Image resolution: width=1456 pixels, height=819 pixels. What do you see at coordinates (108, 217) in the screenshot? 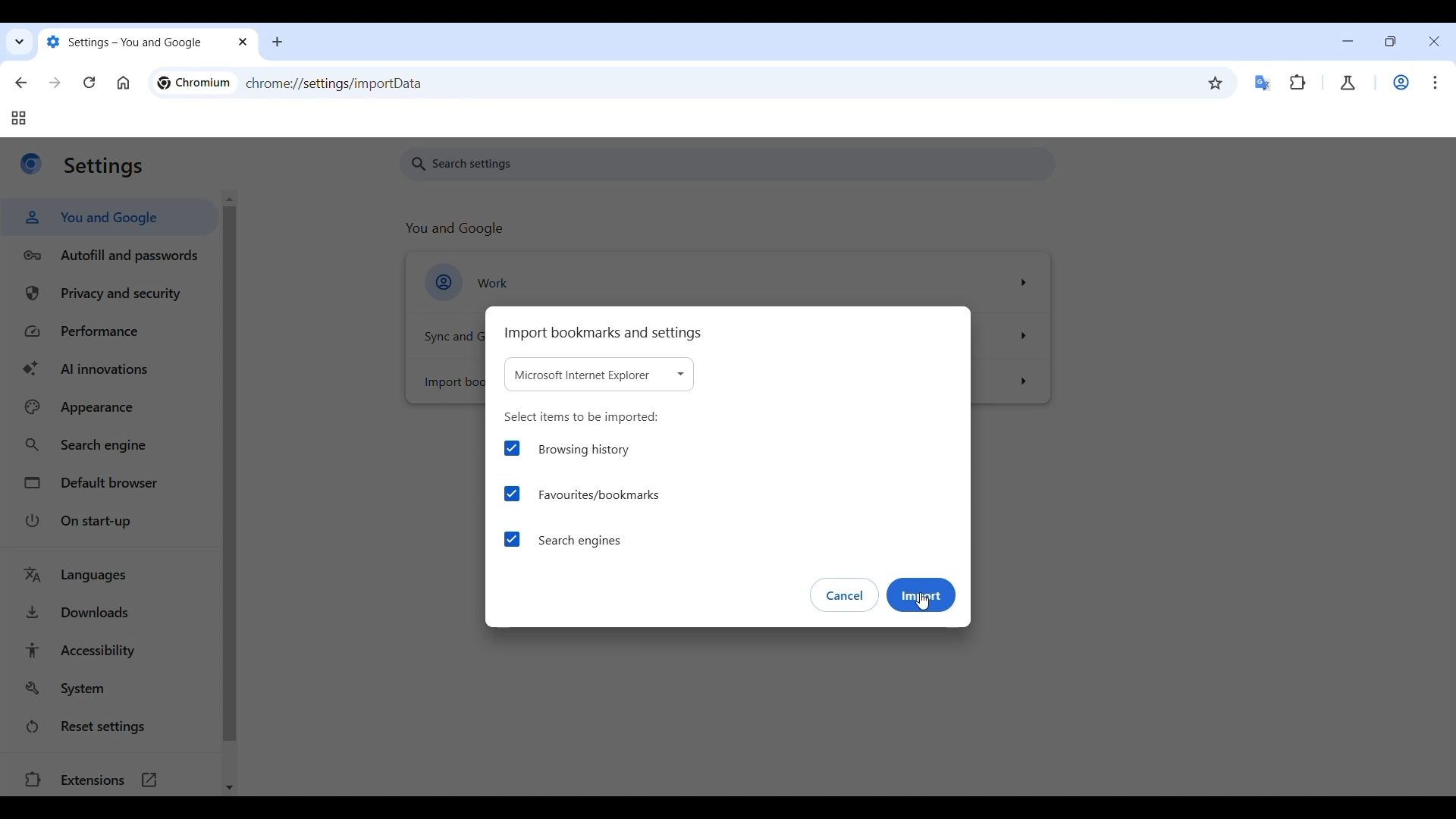
I see `You and Google` at bounding box center [108, 217].